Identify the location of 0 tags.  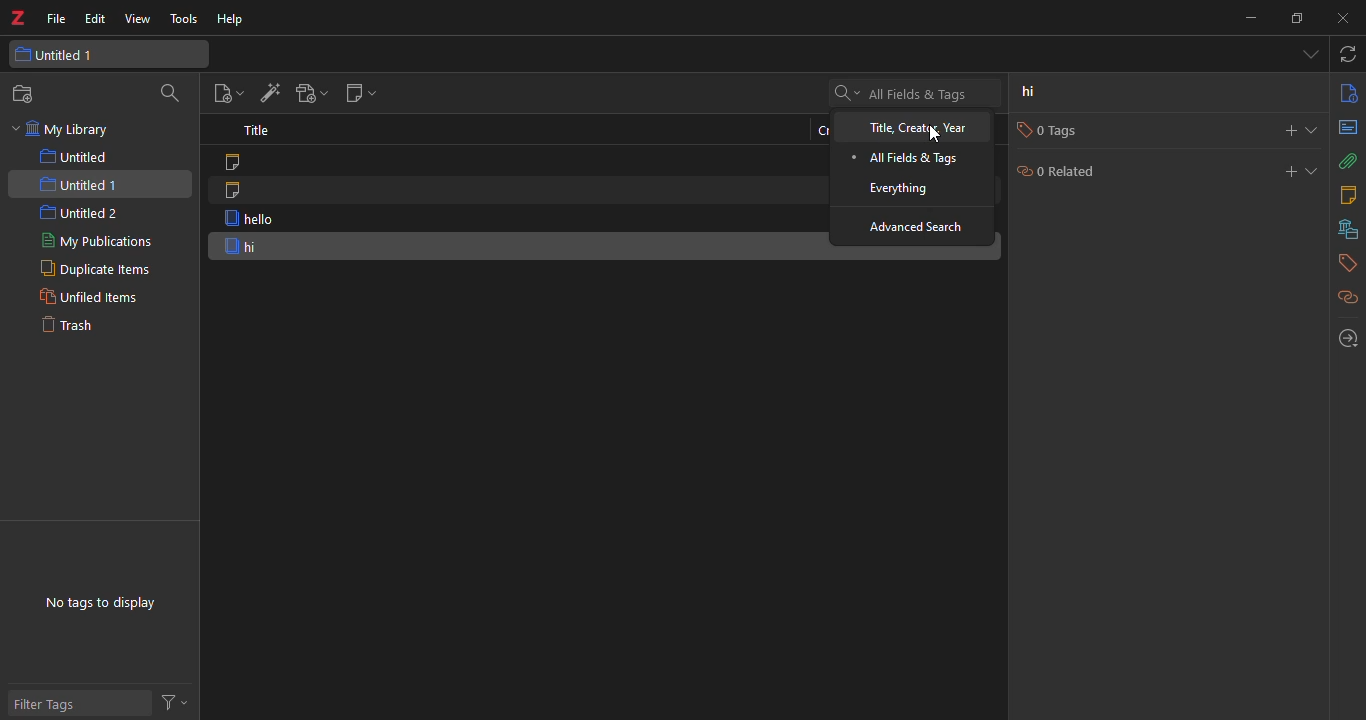
(1061, 130).